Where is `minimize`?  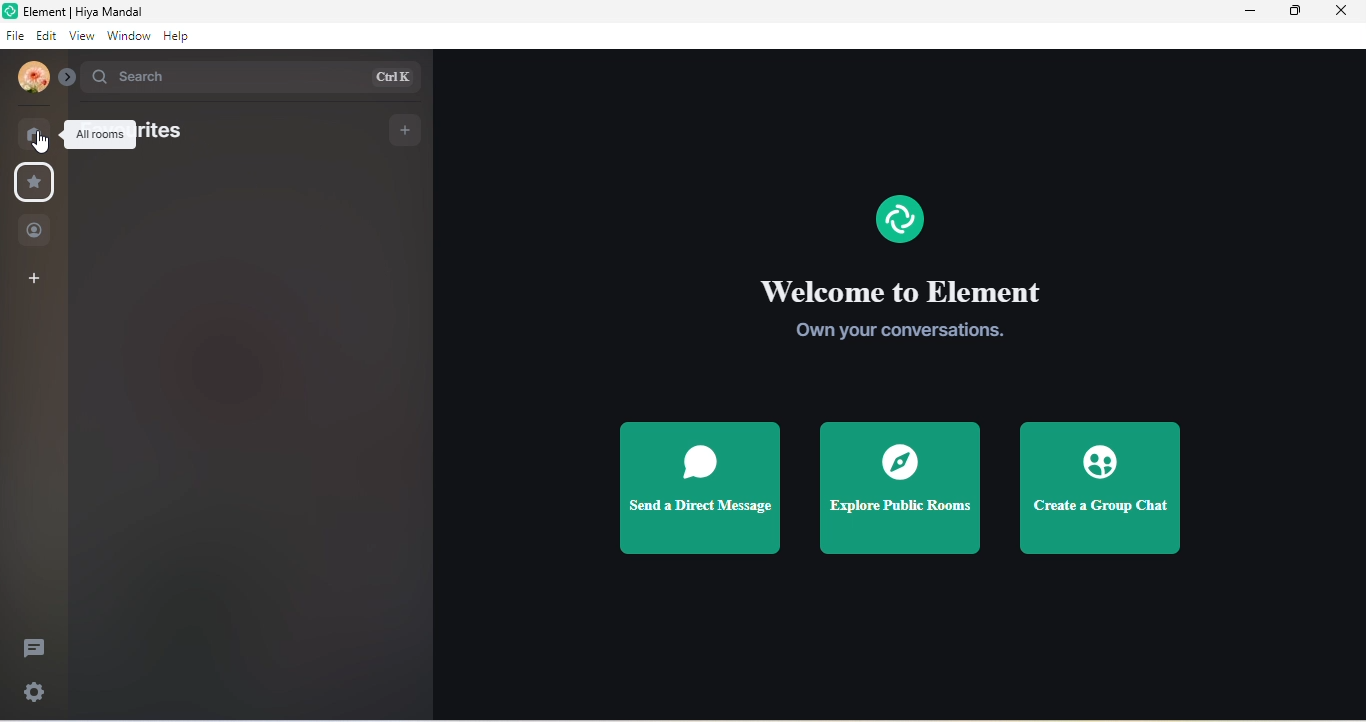
minimize is located at coordinates (1250, 11).